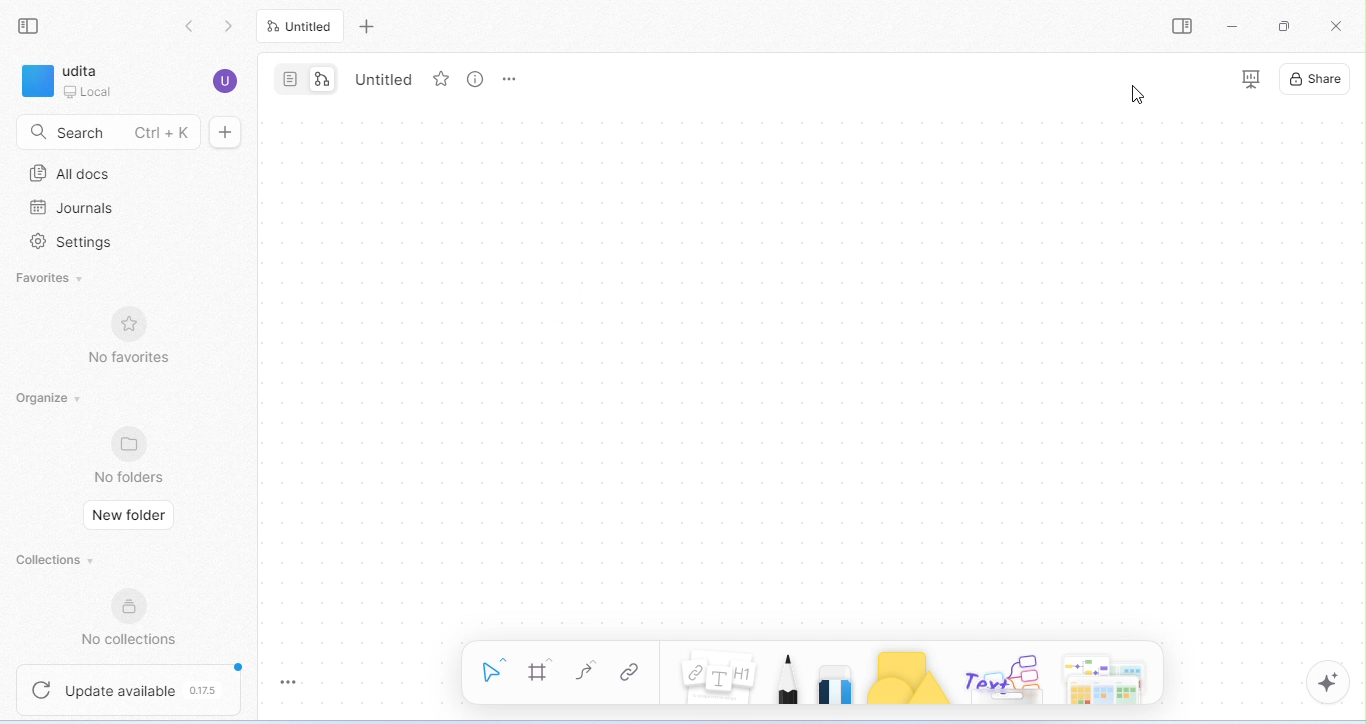 The width and height of the screenshot is (1366, 724). Describe the element at coordinates (126, 132) in the screenshot. I see `search ctrl + k` at that location.